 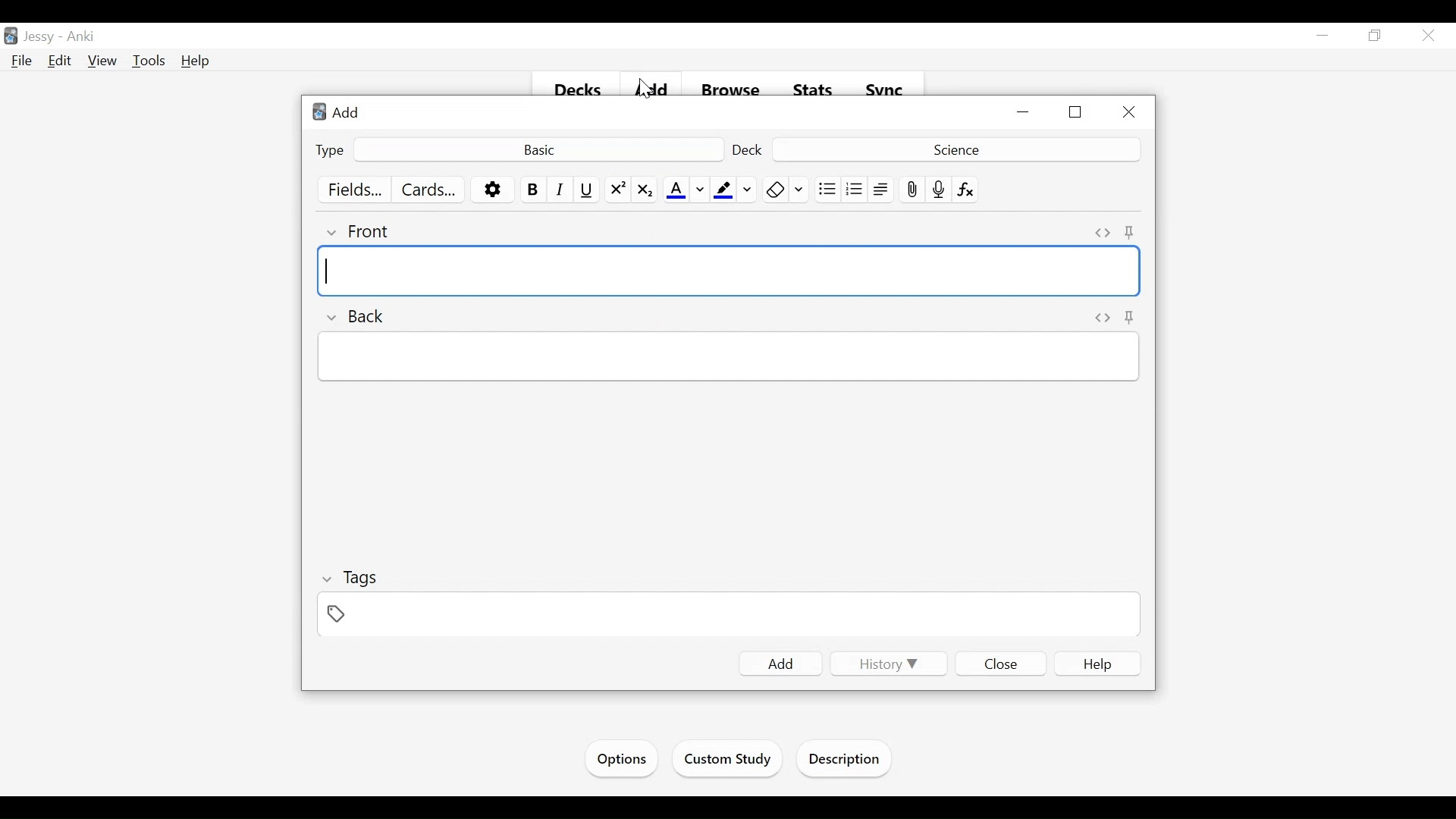 I want to click on Ordered list, so click(x=855, y=190).